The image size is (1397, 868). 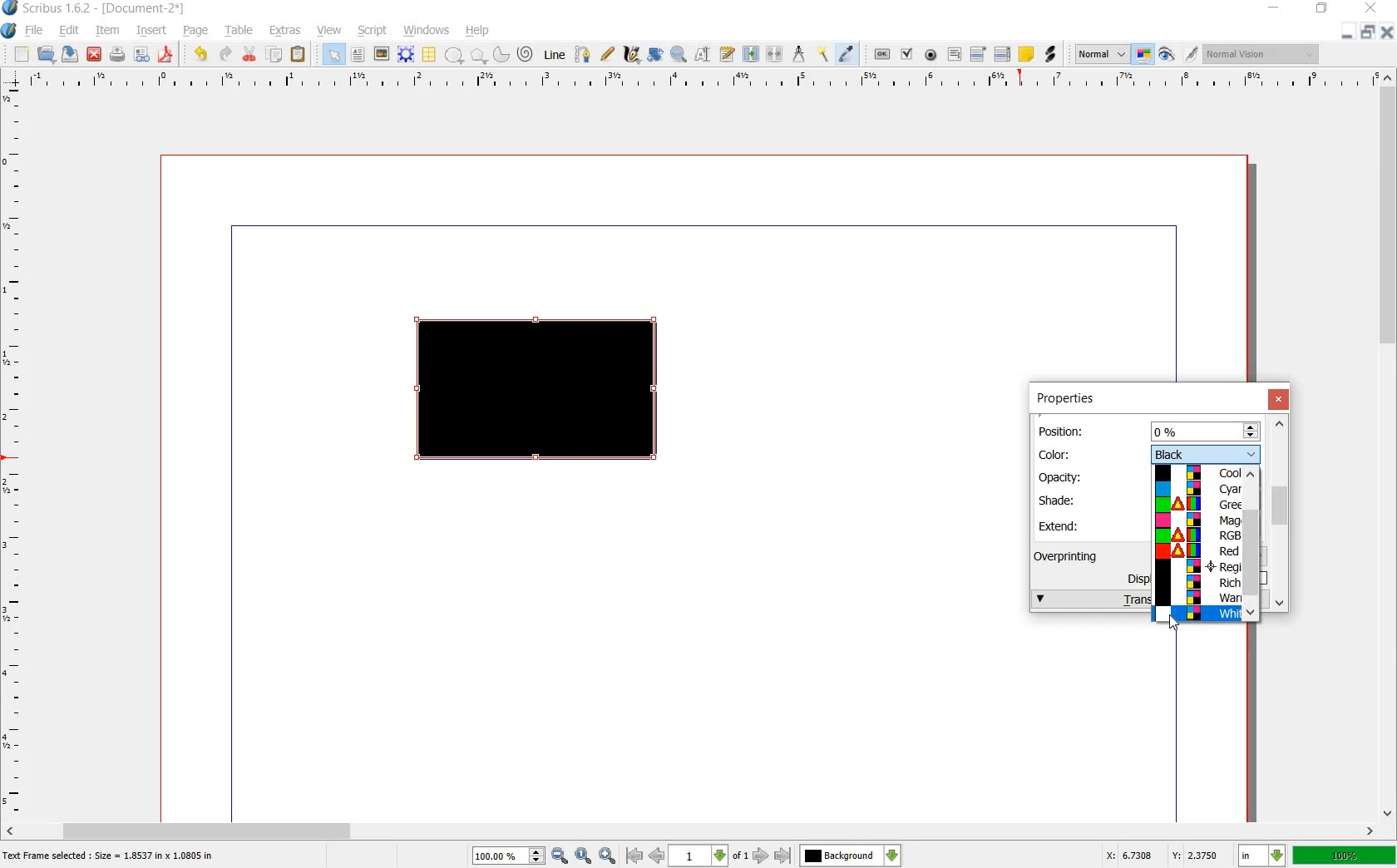 What do you see at coordinates (1206, 431) in the screenshot?
I see `0%` at bounding box center [1206, 431].